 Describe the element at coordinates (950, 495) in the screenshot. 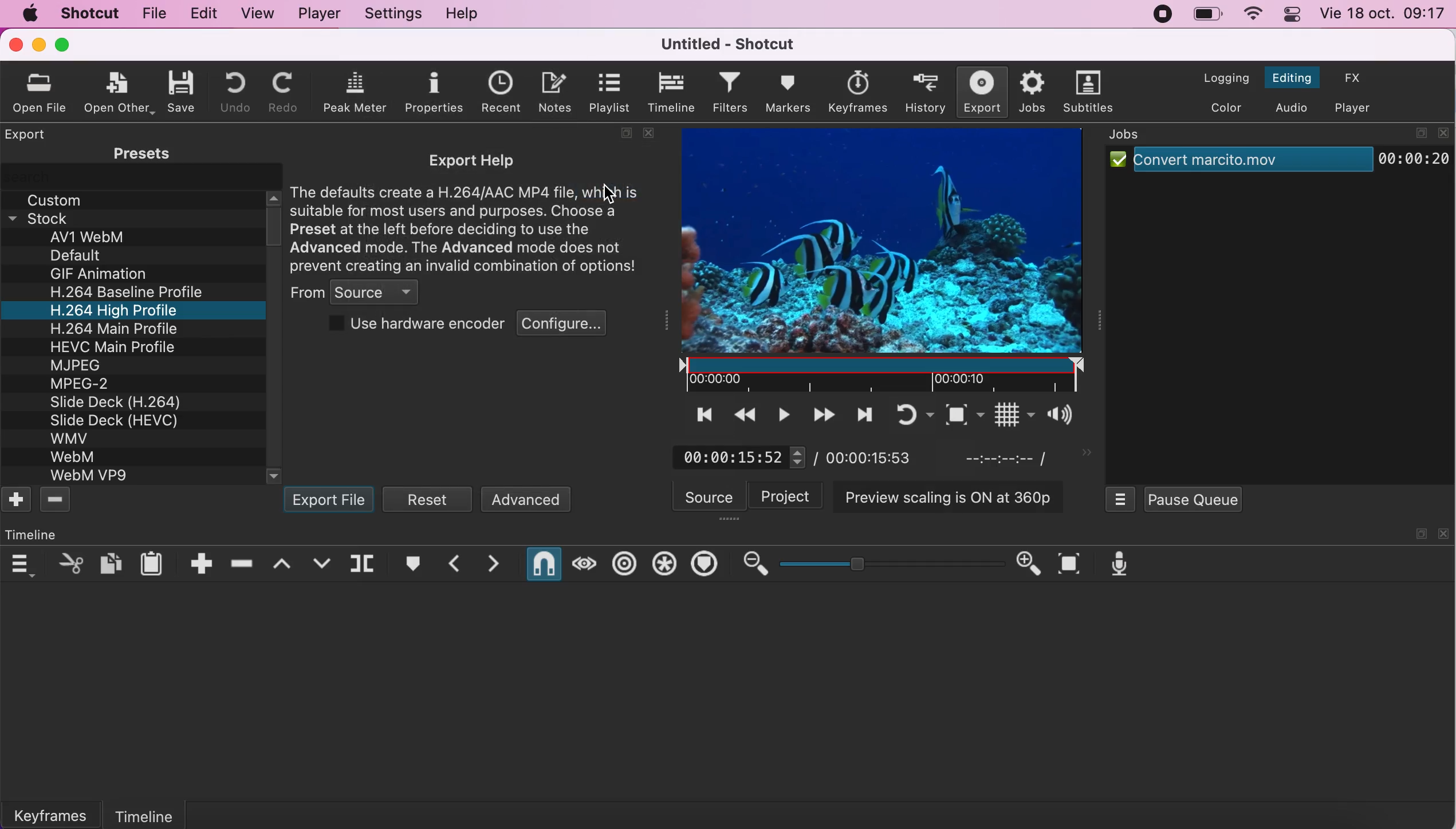

I see `preview scaling is on at 360p` at that location.